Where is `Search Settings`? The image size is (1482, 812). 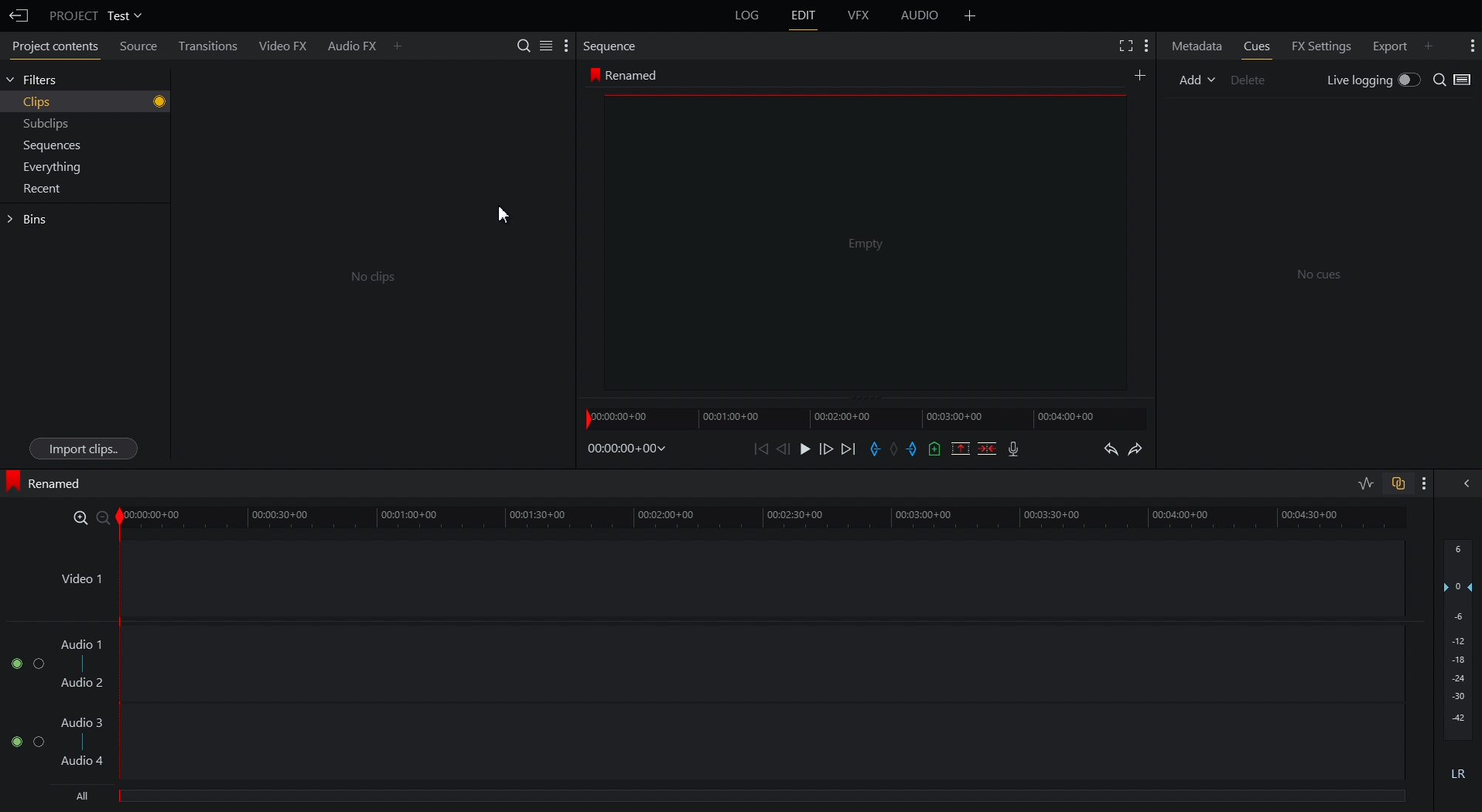
Search Settings is located at coordinates (542, 46).